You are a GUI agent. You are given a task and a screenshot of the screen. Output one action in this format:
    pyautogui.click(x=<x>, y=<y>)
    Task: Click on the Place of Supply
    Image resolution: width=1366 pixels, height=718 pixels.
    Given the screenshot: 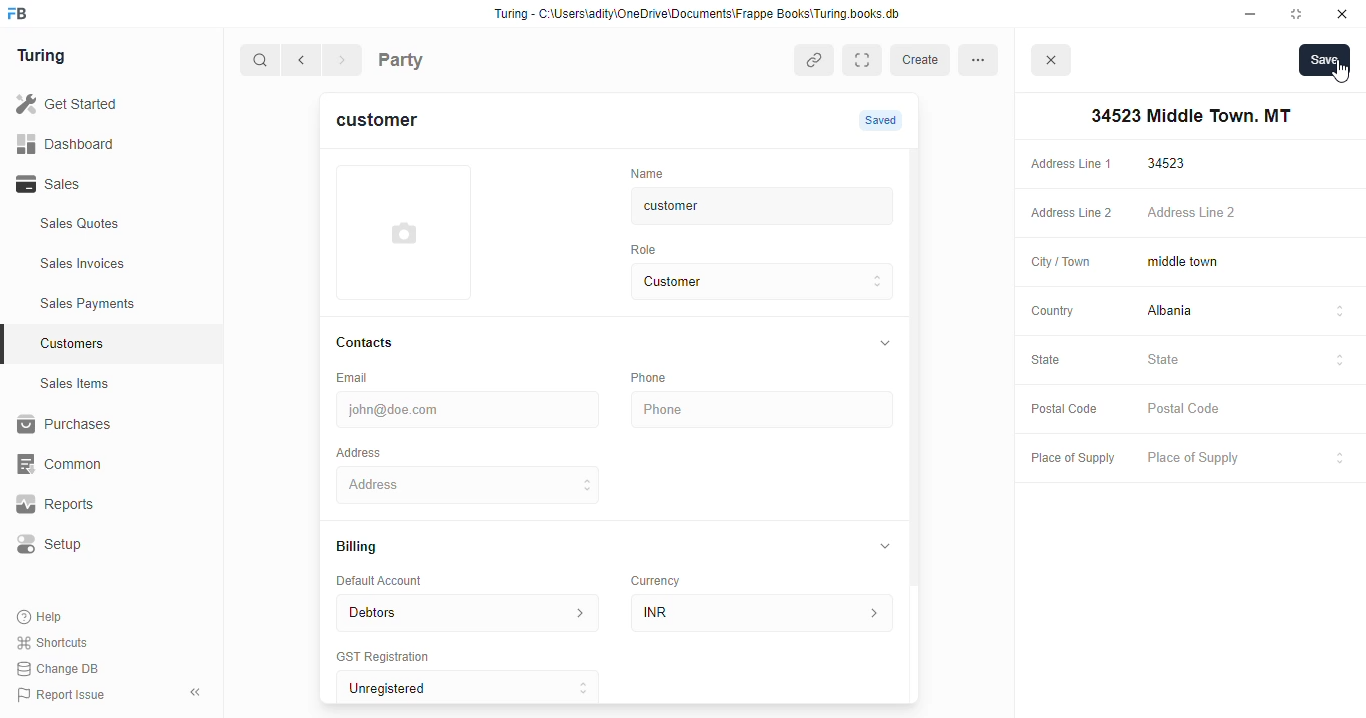 What is the action you would take?
    pyautogui.click(x=1068, y=459)
    